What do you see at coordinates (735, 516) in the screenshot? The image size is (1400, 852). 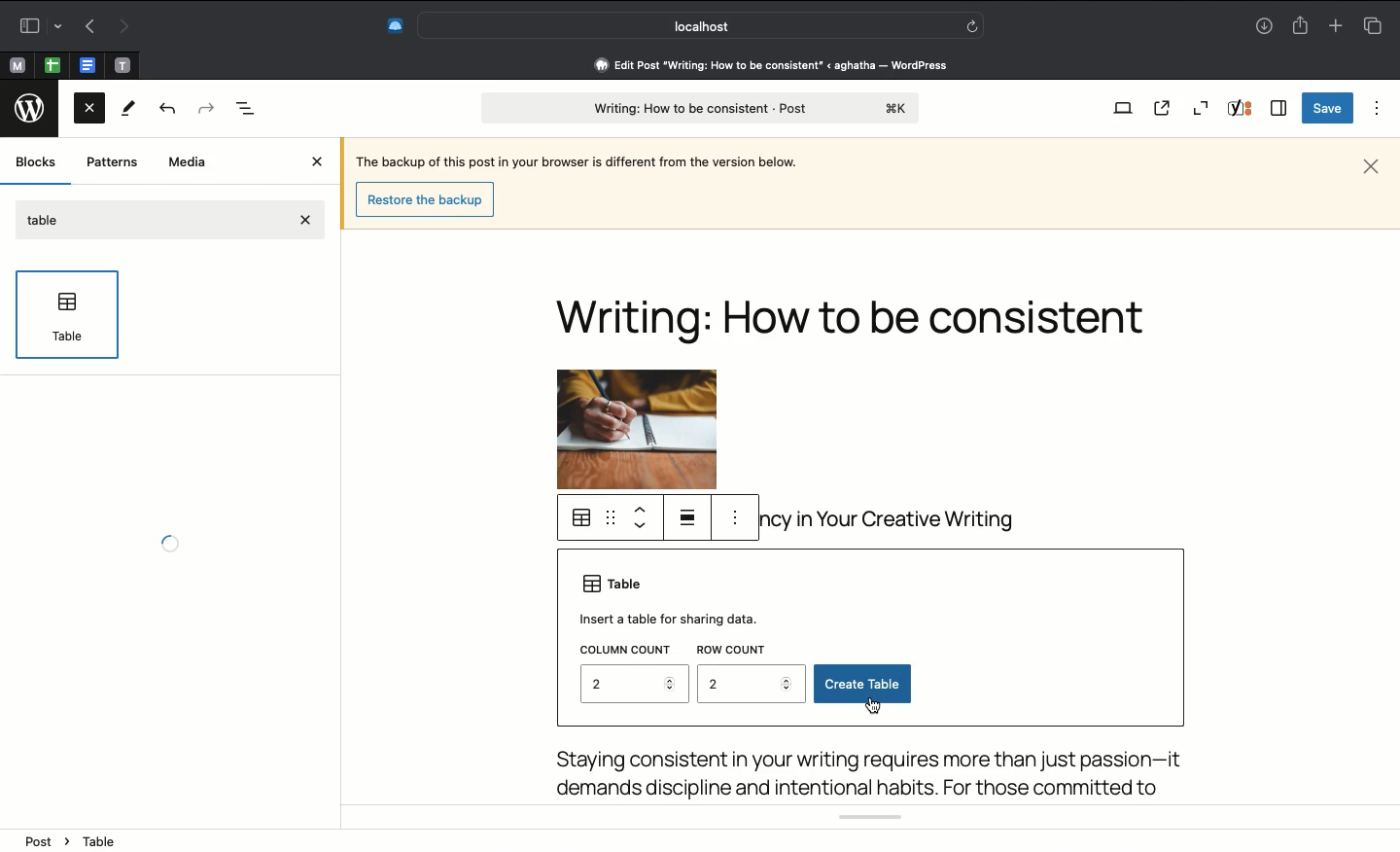 I see `options` at bounding box center [735, 516].